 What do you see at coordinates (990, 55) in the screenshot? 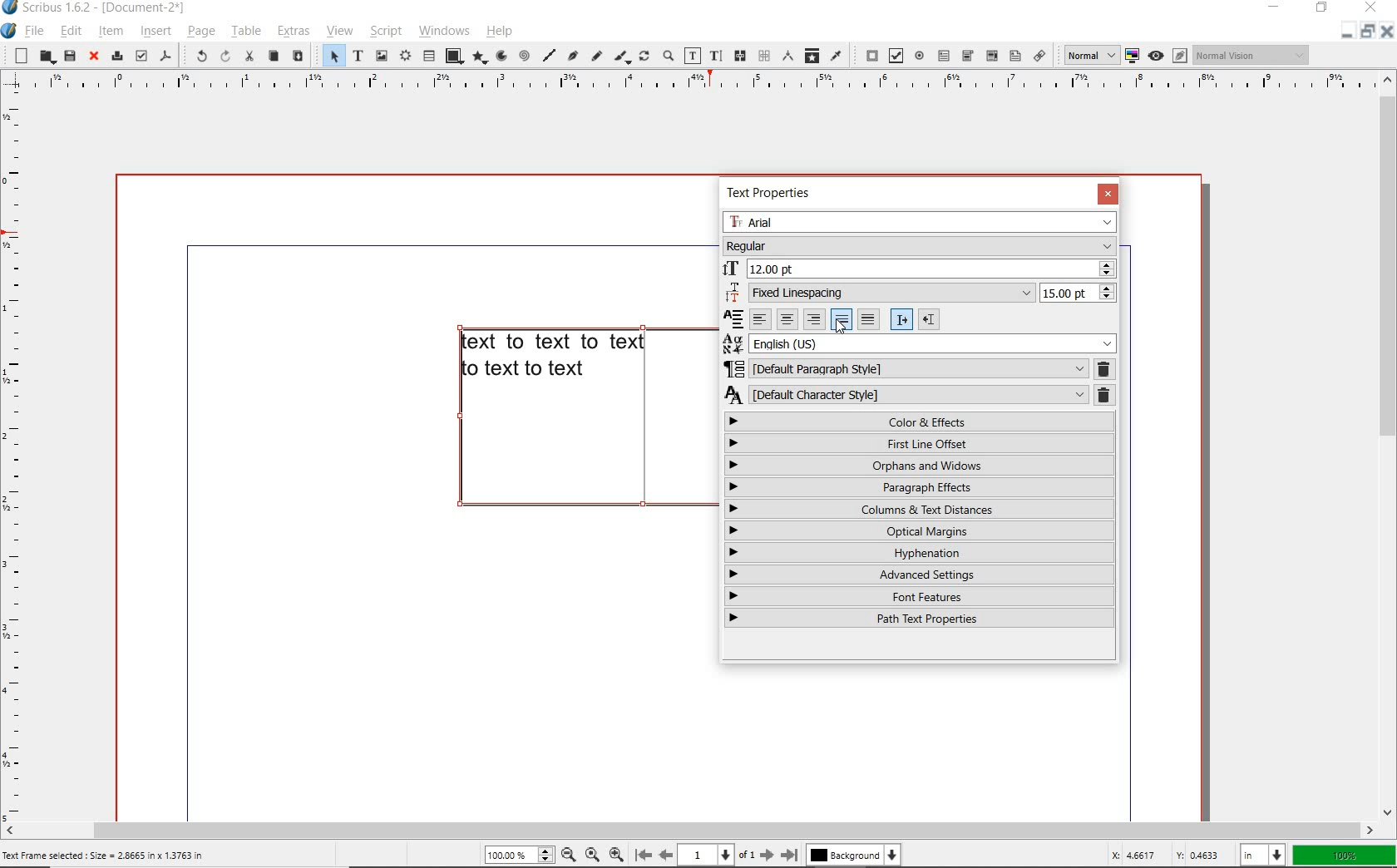
I see `pdf combo box` at bounding box center [990, 55].